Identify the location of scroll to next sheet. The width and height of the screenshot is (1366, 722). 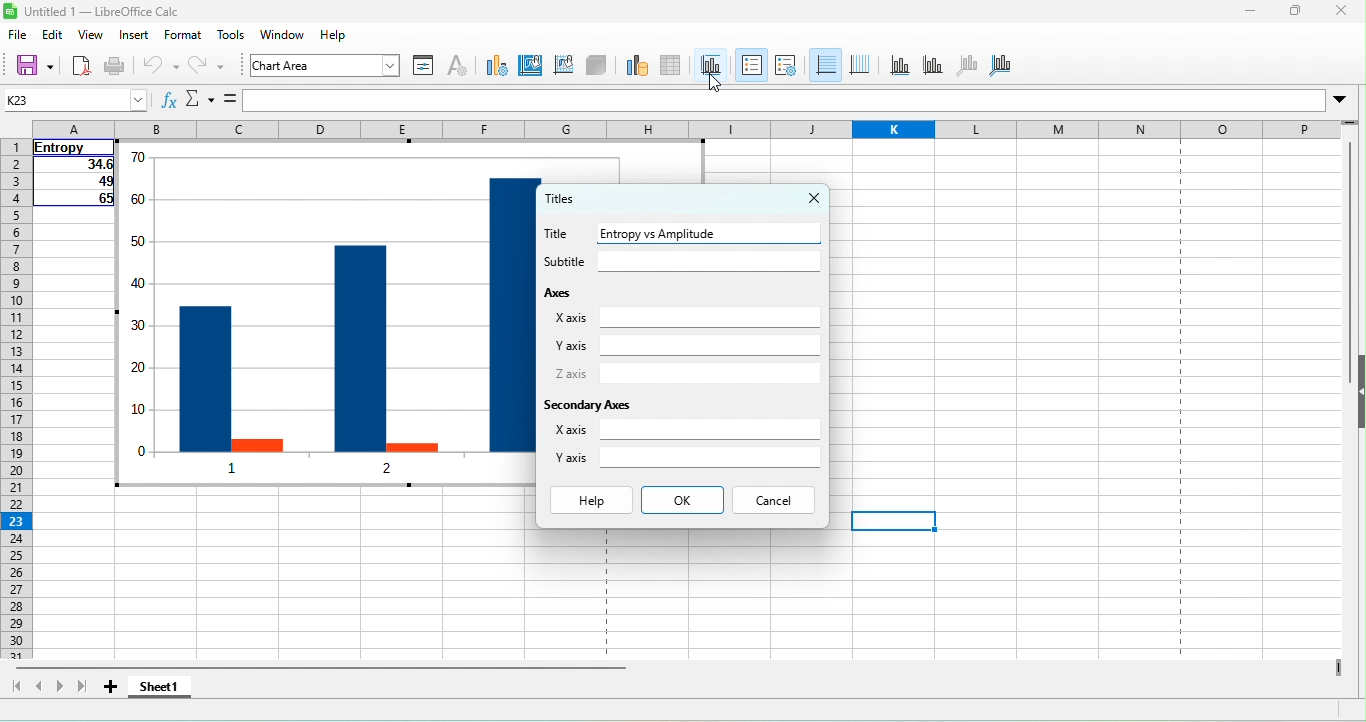
(59, 687).